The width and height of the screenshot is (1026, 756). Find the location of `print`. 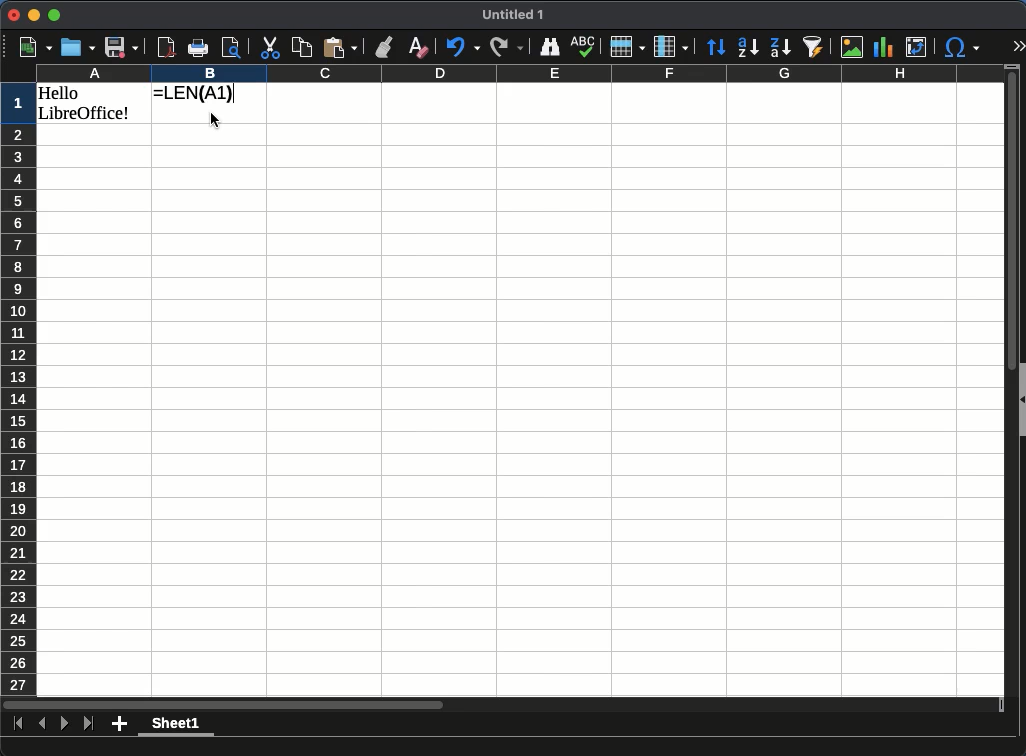

print is located at coordinates (199, 50).